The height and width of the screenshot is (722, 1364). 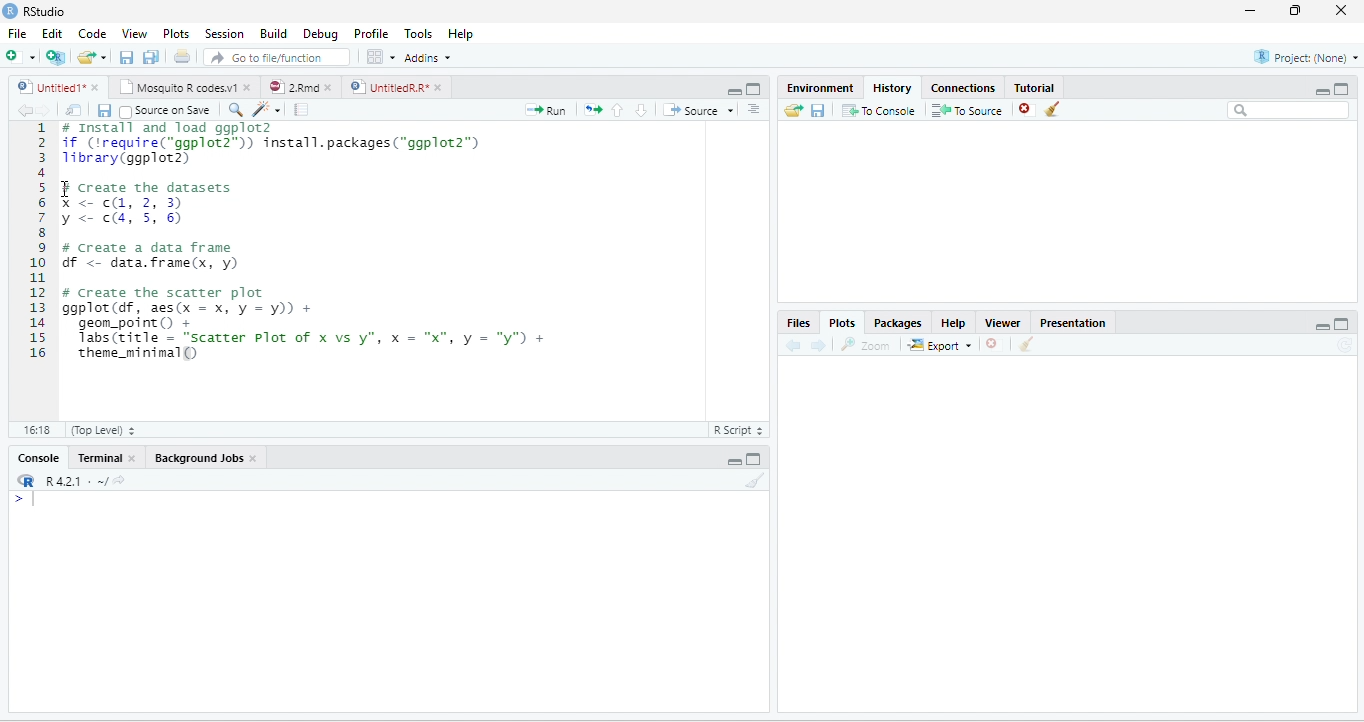 What do you see at coordinates (438, 87) in the screenshot?
I see `close` at bounding box center [438, 87].